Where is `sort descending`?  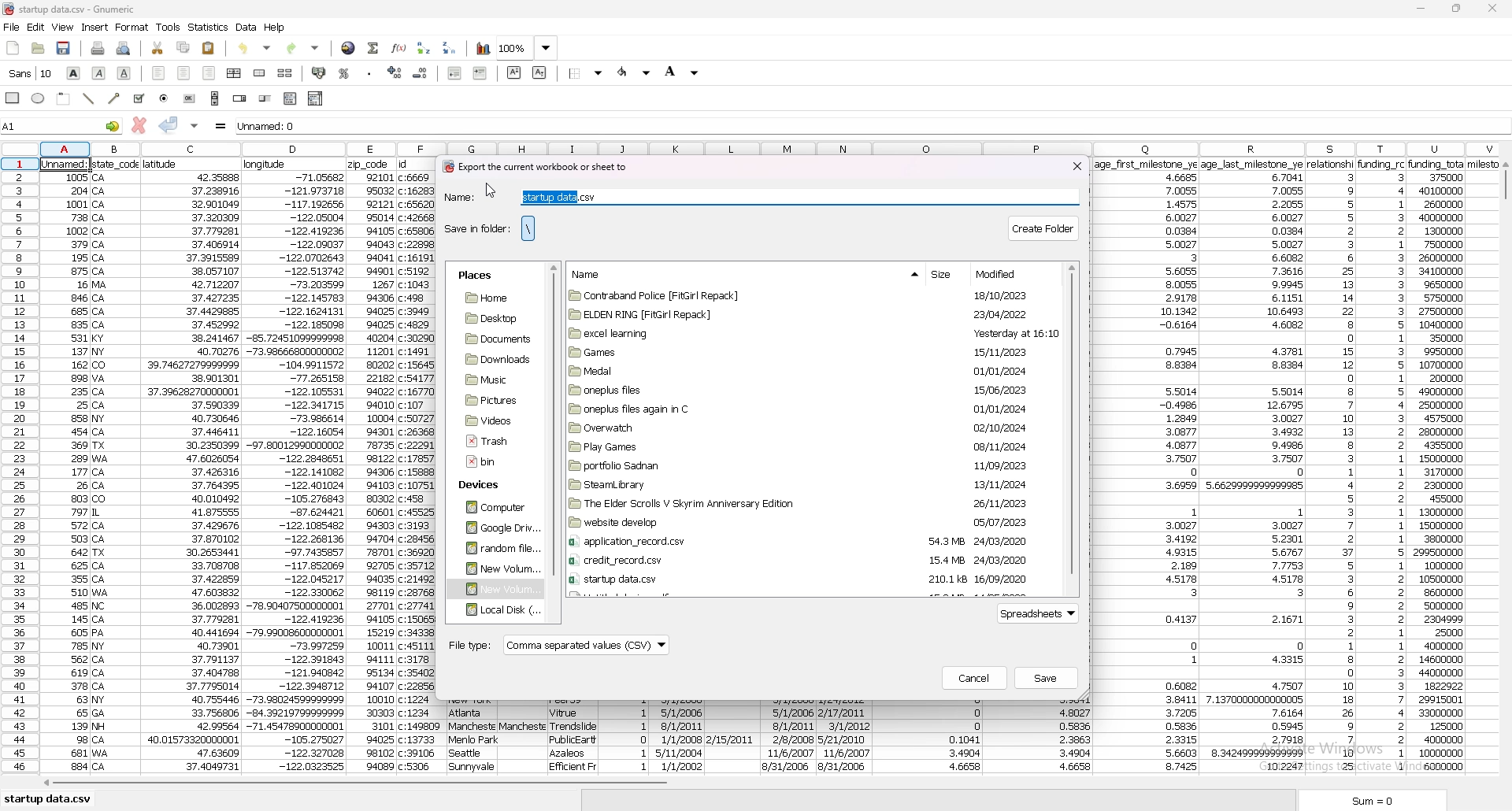 sort descending is located at coordinates (450, 47).